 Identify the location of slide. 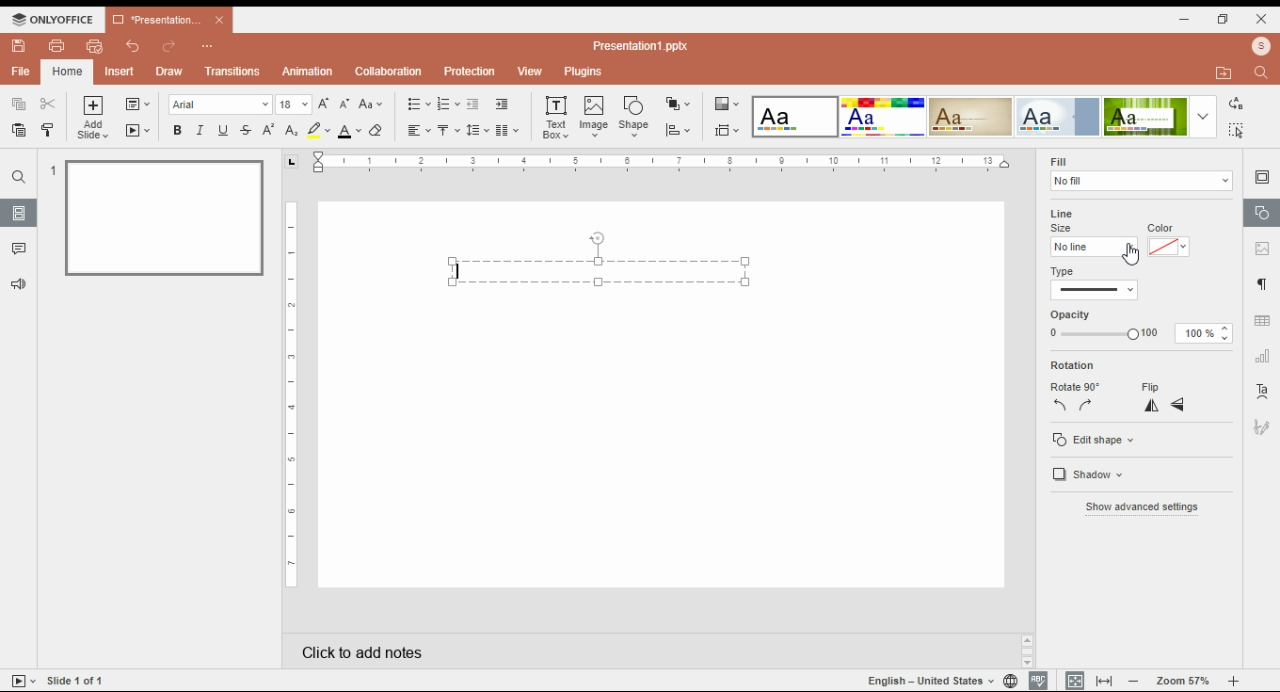
(19, 213).